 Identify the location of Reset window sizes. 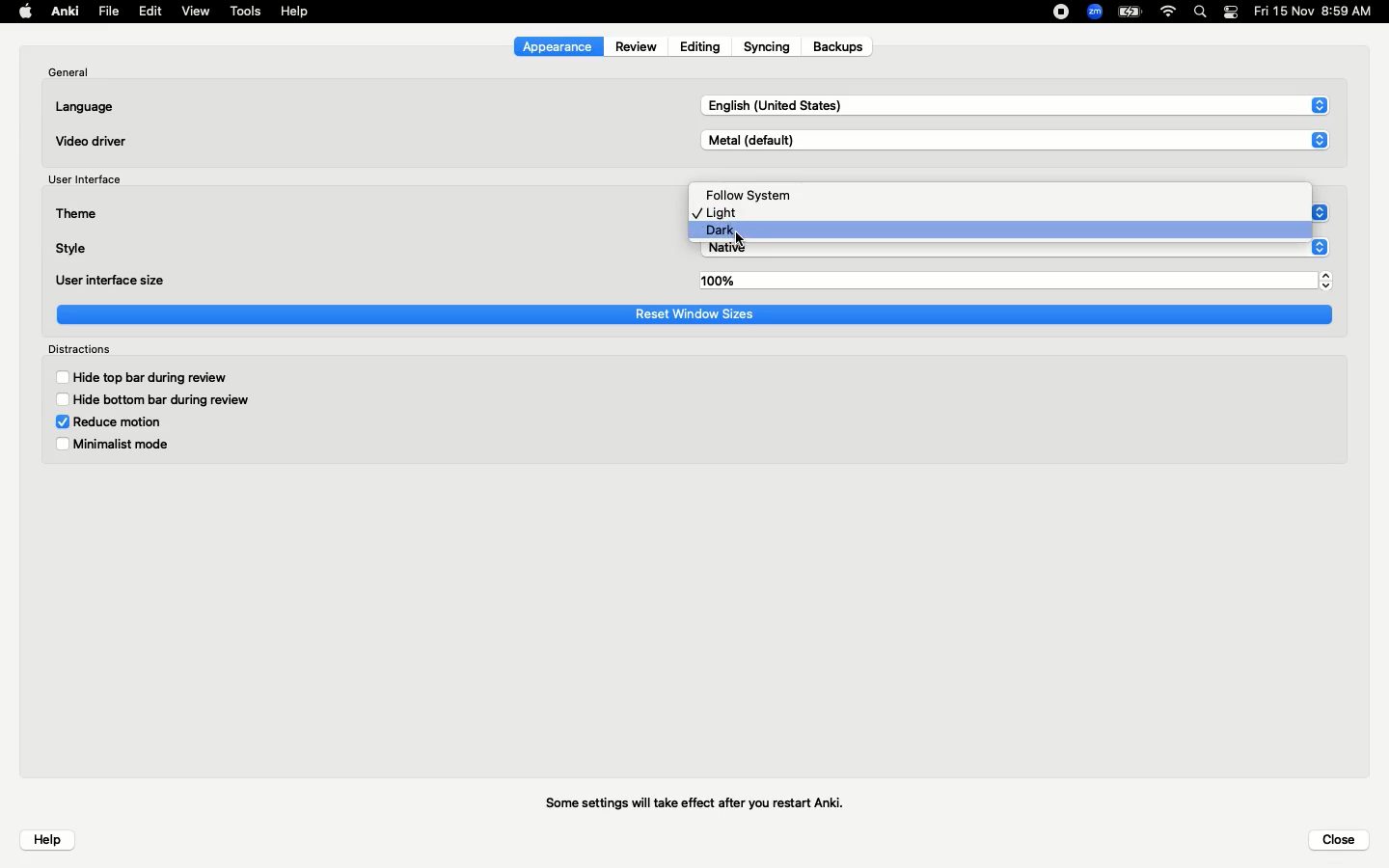
(696, 314).